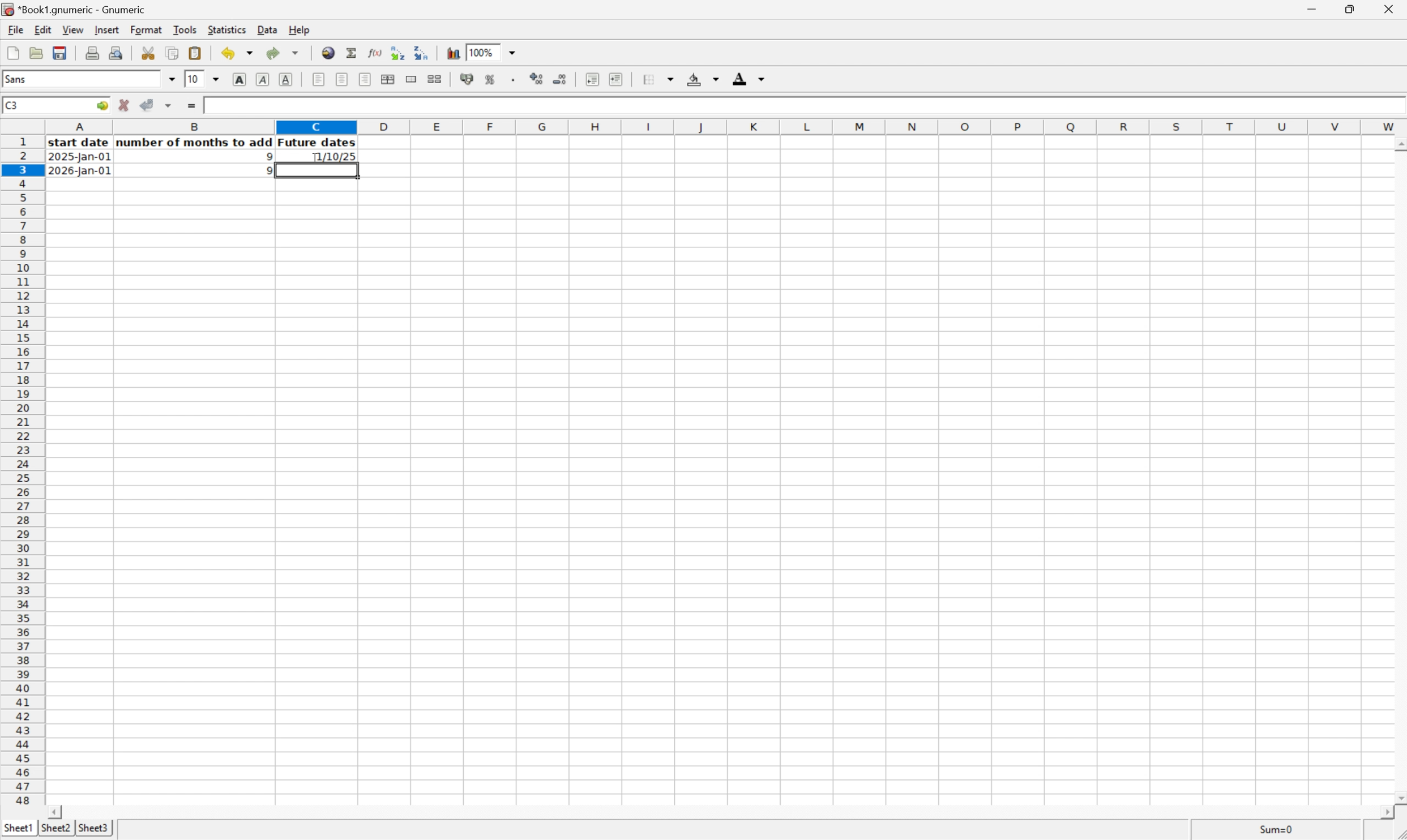 The height and width of the screenshot is (840, 1407). What do you see at coordinates (196, 53) in the screenshot?
I see `Paste a clipboard` at bounding box center [196, 53].